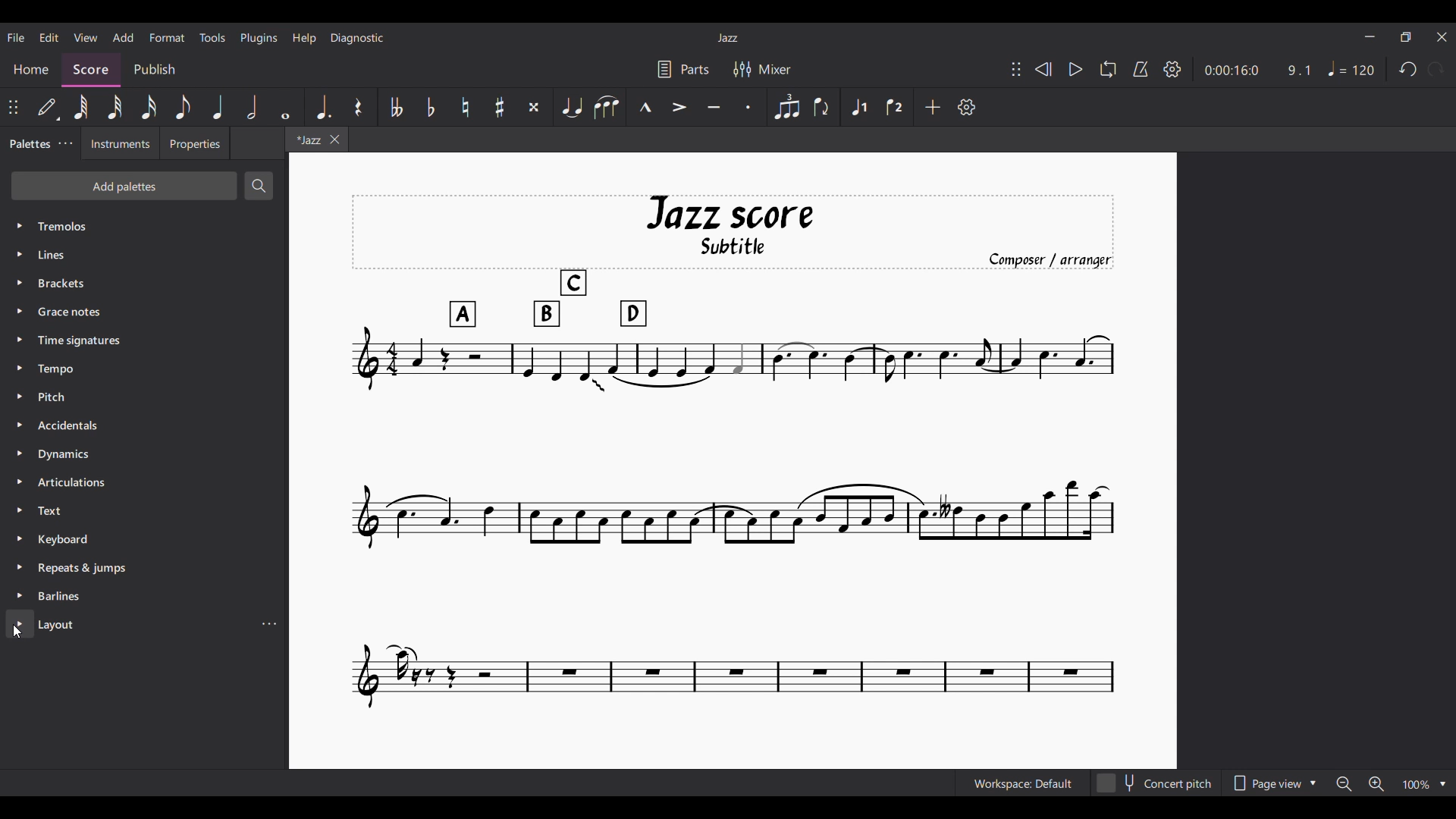  What do you see at coordinates (1023, 783) in the screenshot?
I see `Workspace: Default` at bounding box center [1023, 783].